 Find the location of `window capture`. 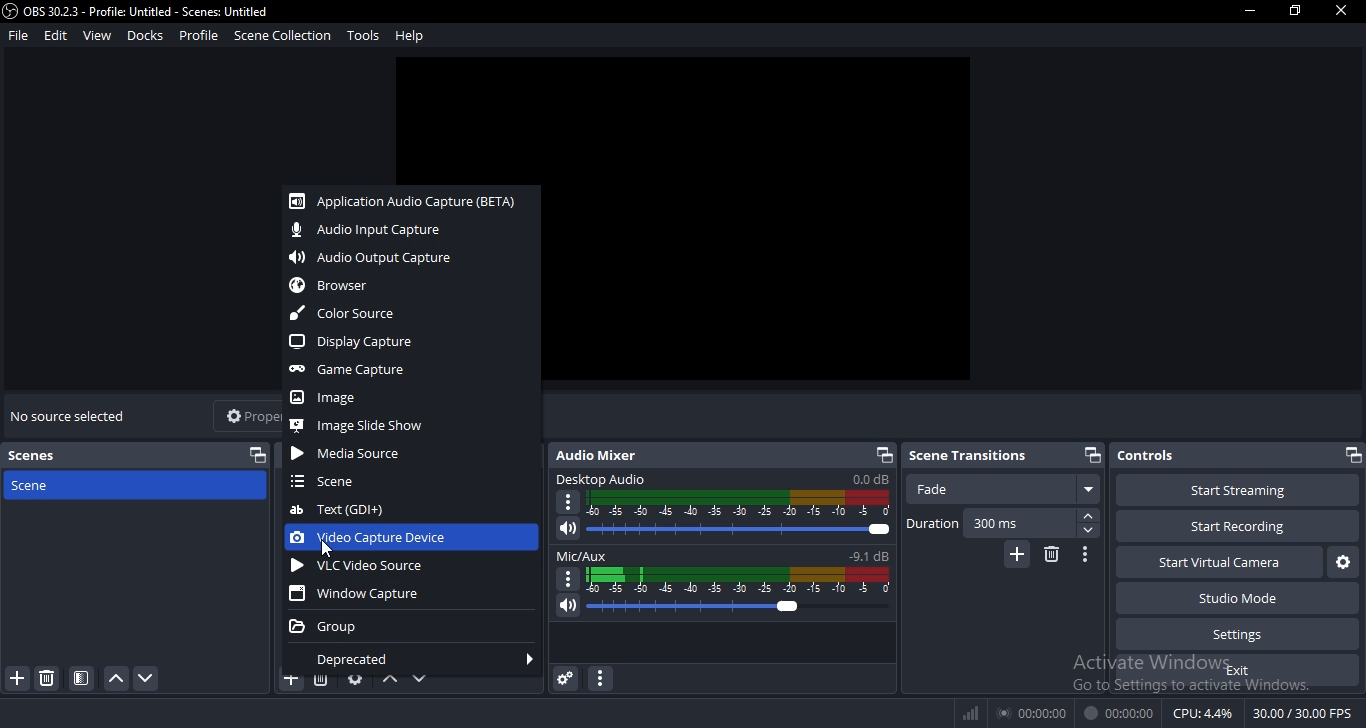

window capture is located at coordinates (358, 596).